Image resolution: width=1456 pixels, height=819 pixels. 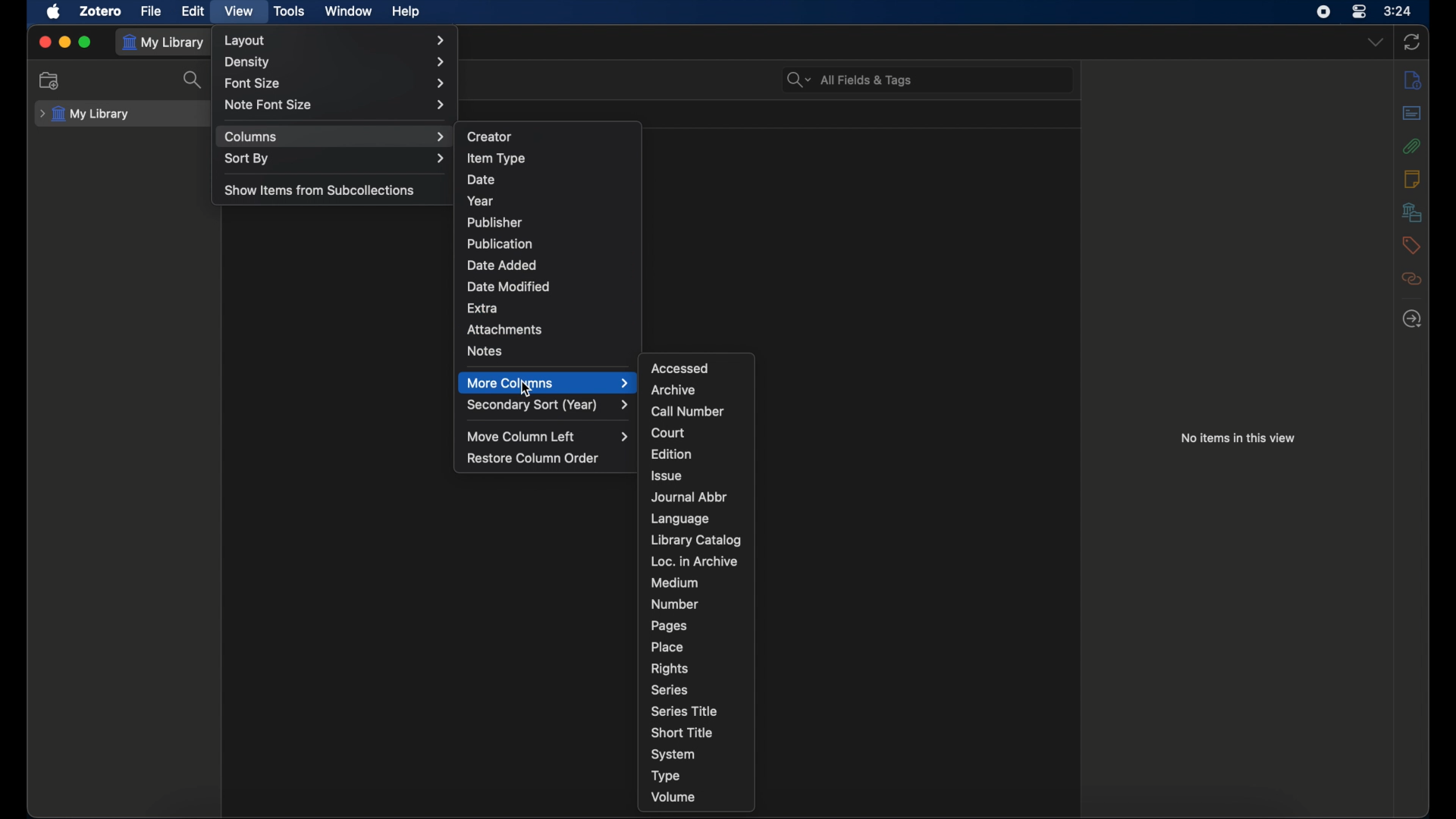 I want to click on sync, so click(x=1412, y=42).